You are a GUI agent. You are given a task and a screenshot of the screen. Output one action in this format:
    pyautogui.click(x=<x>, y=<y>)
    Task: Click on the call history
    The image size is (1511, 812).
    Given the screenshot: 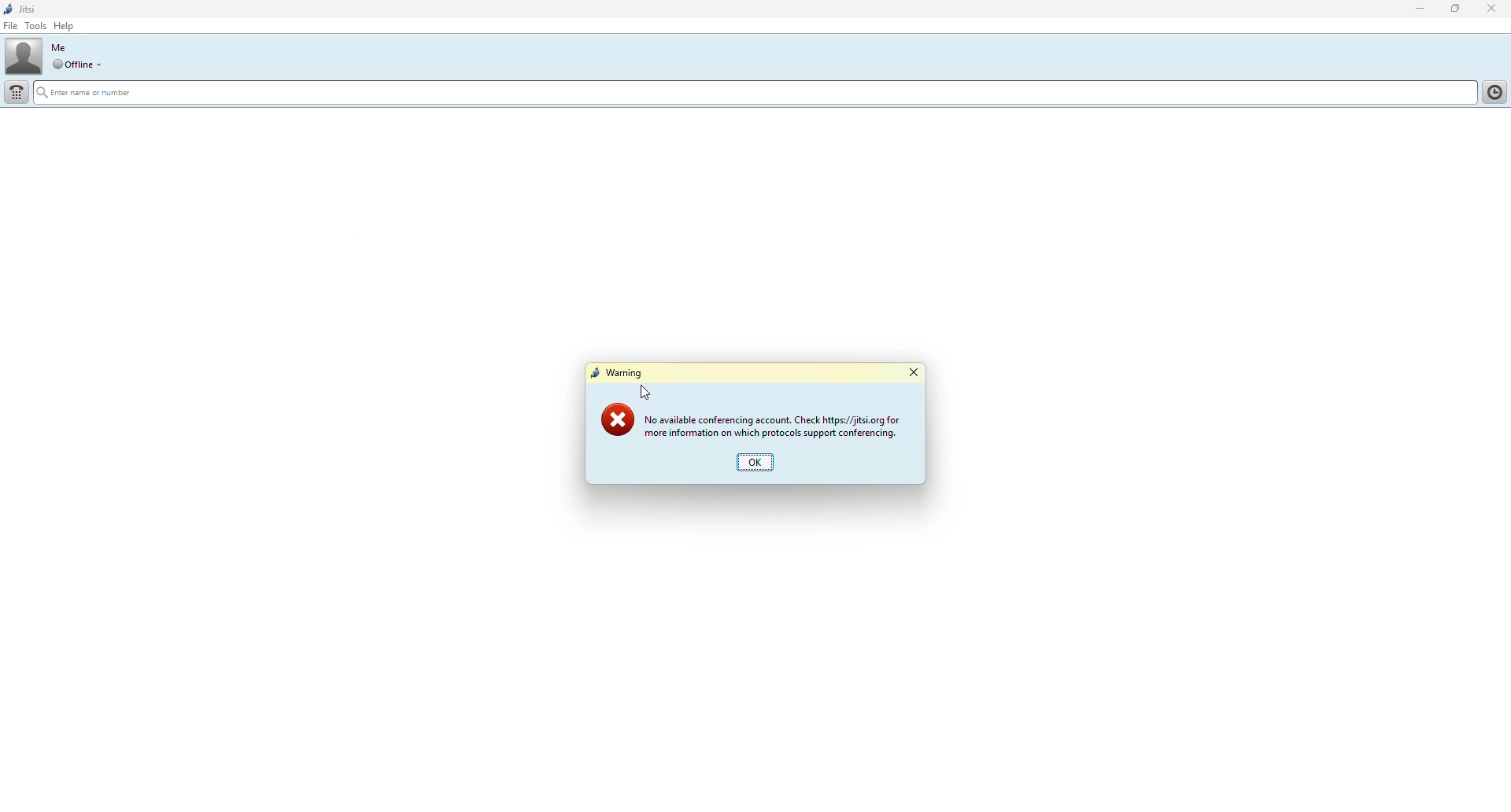 What is the action you would take?
    pyautogui.click(x=1493, y=94)
    